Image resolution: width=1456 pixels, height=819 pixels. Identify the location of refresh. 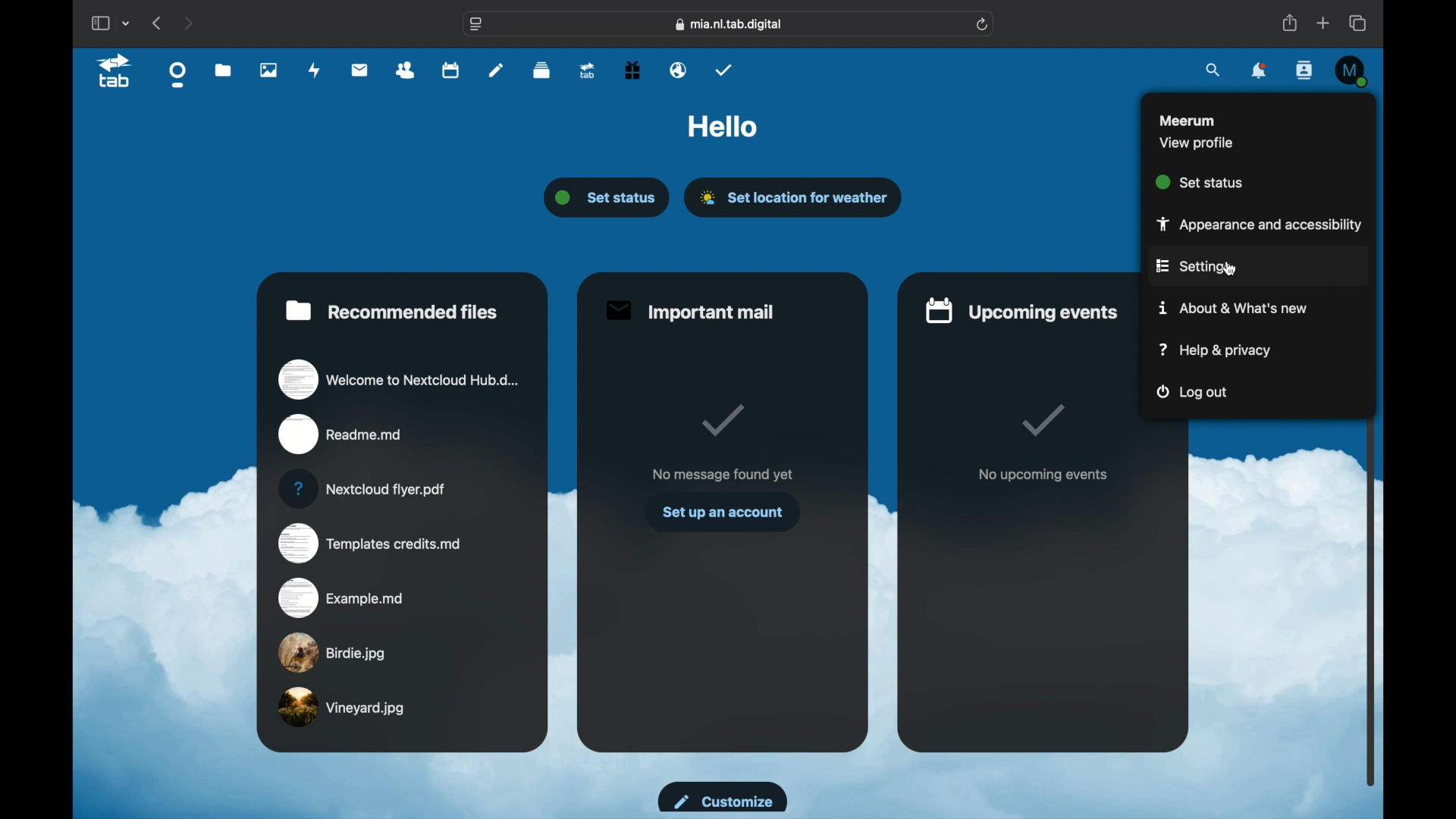
(983, 25).